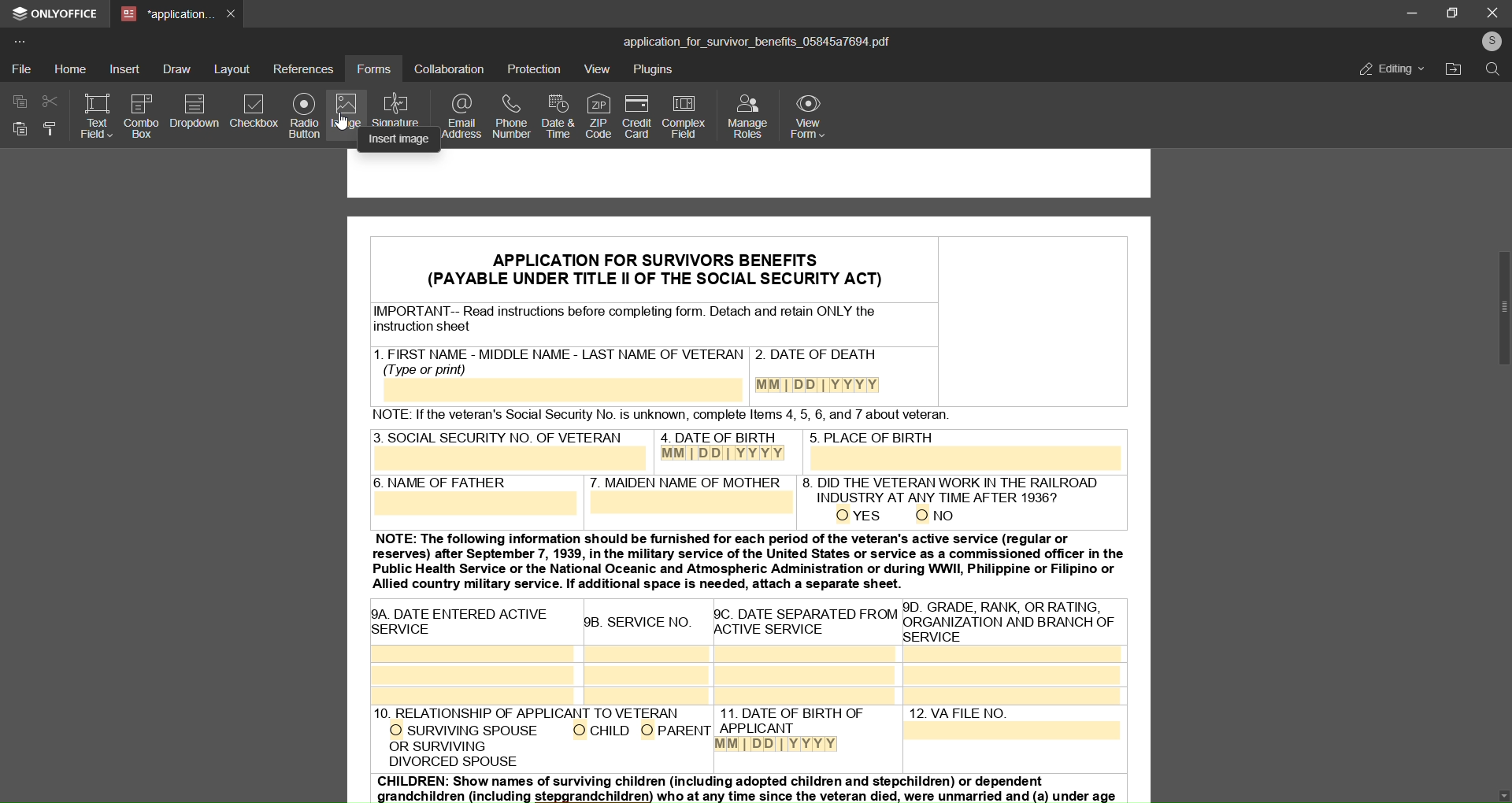  Describe the element at coordinates (754, 483) in the screenshot. I see `PDF of application for survivors benefits` at that location.